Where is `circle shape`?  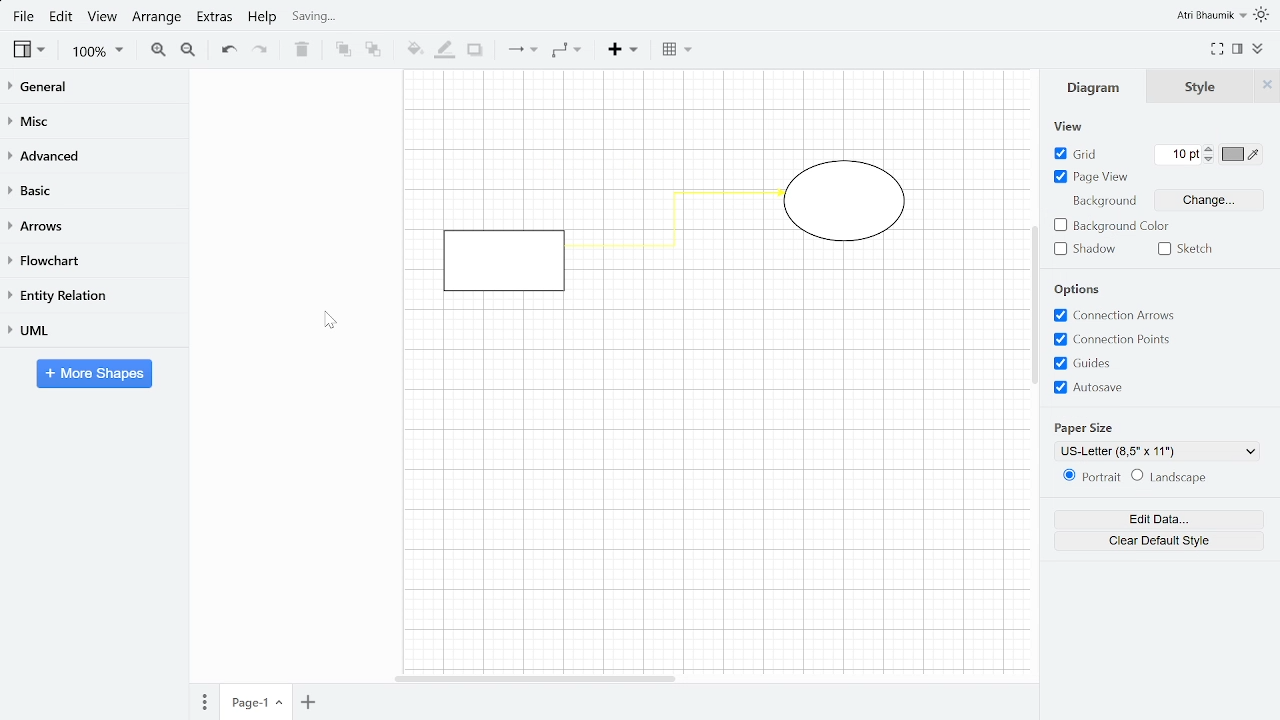 circle shape is located at coordinates (848, 204).